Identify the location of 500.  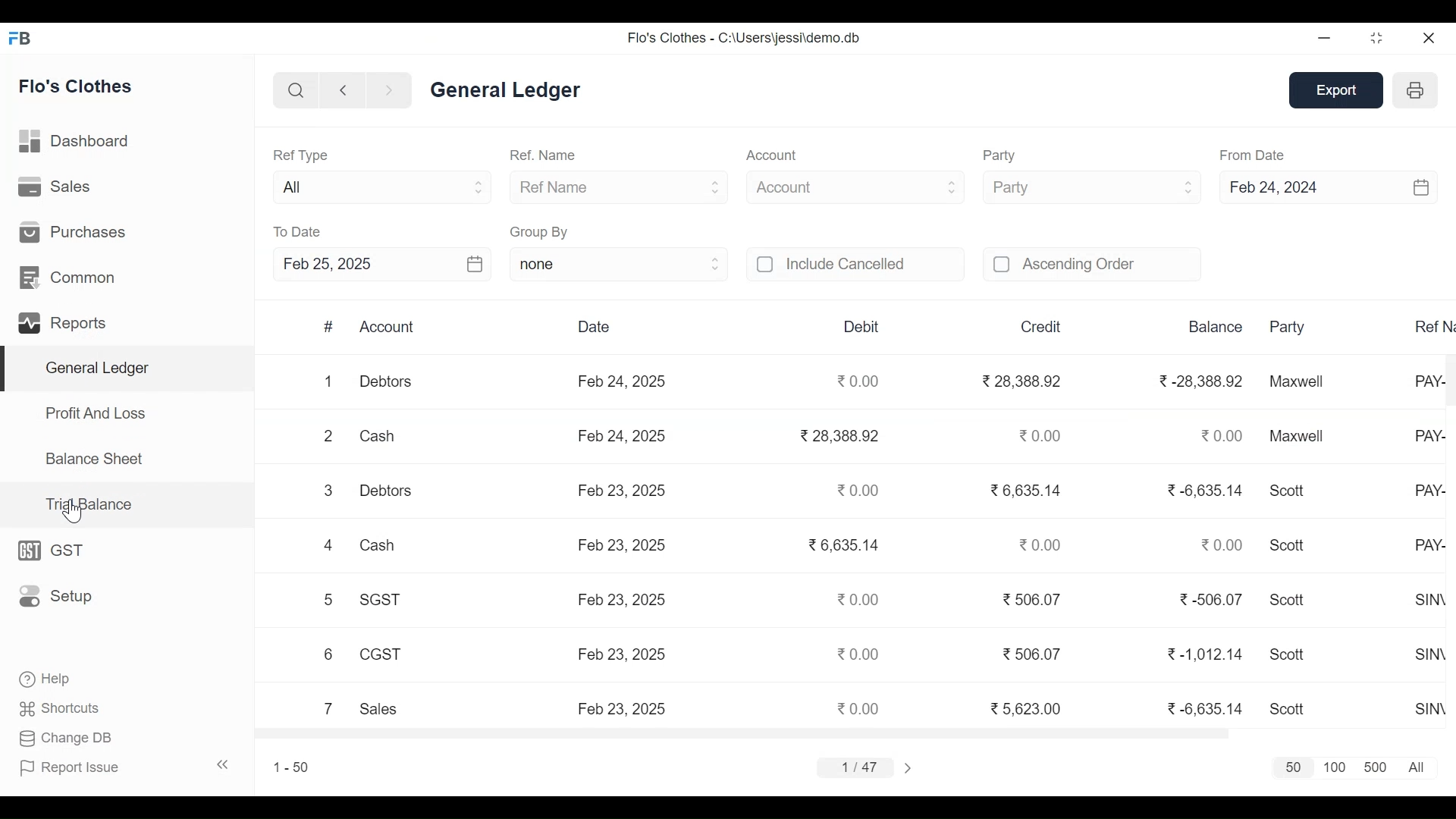
(1376, 767).